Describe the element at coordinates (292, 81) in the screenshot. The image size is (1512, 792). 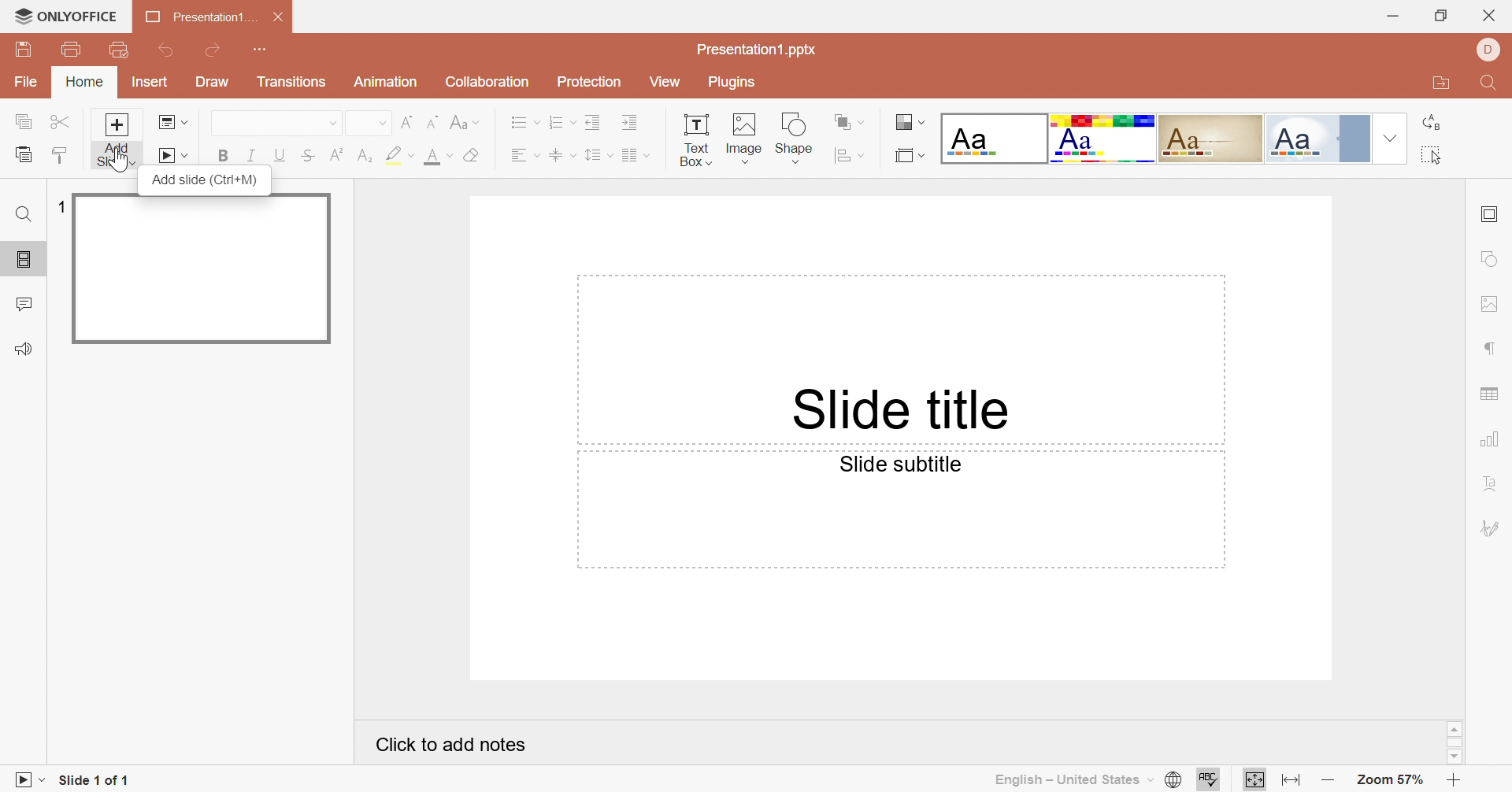
I see `Transition` at that location.